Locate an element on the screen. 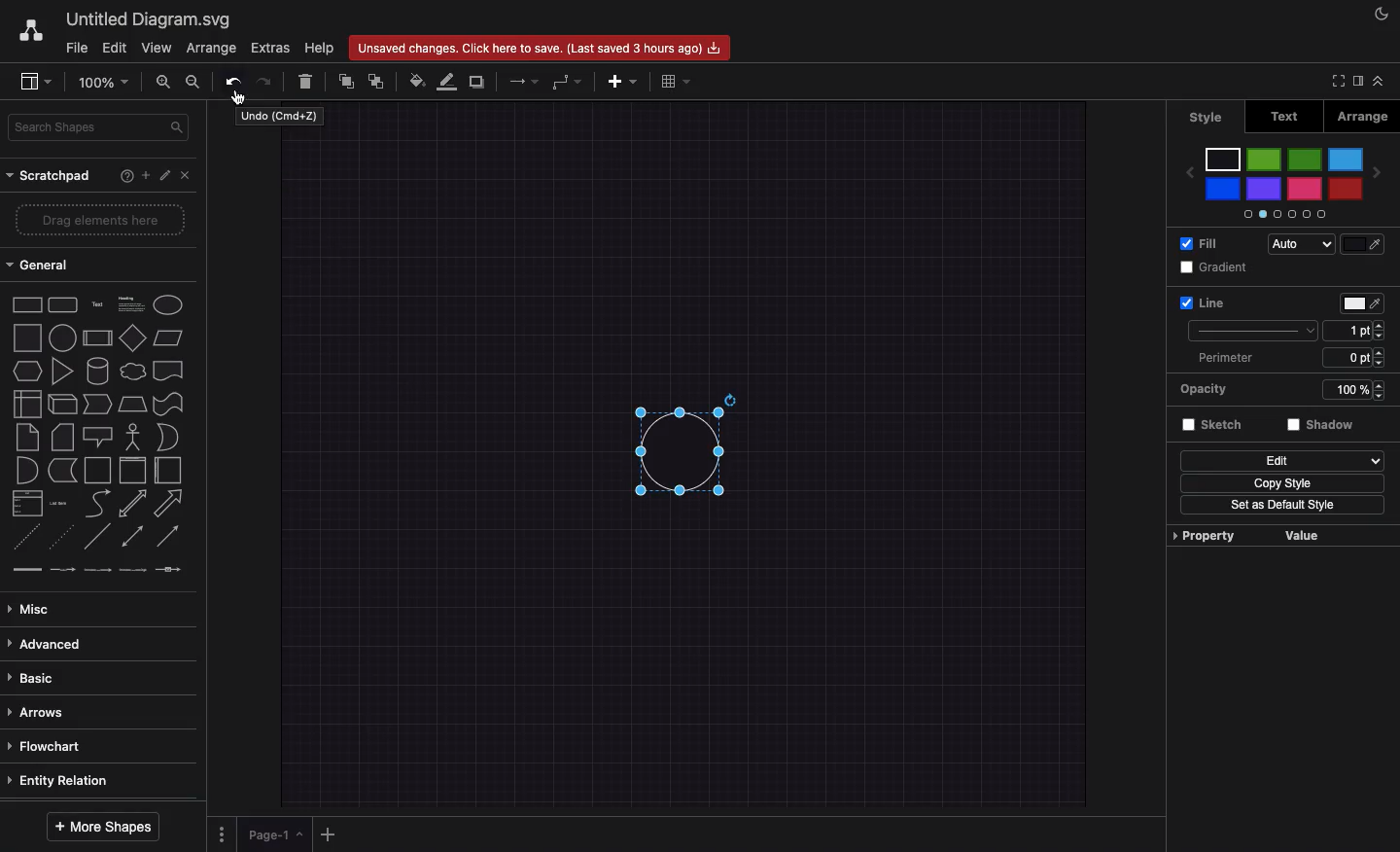 The width and height of the screenshot is (1400, 852). Add is located at coordinates (144, 176).